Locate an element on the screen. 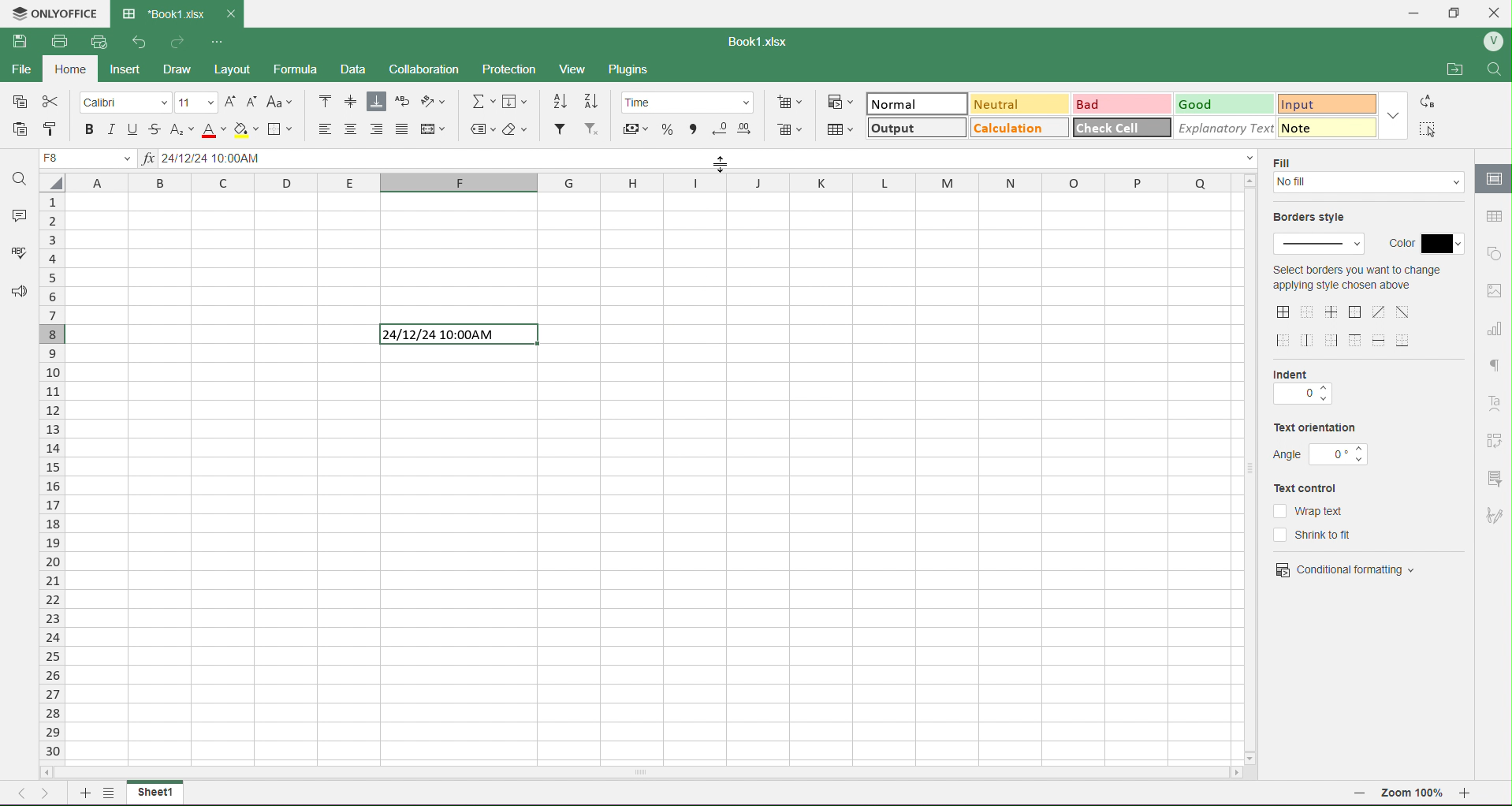  explanatory text is located at coordinates (1218, 127).